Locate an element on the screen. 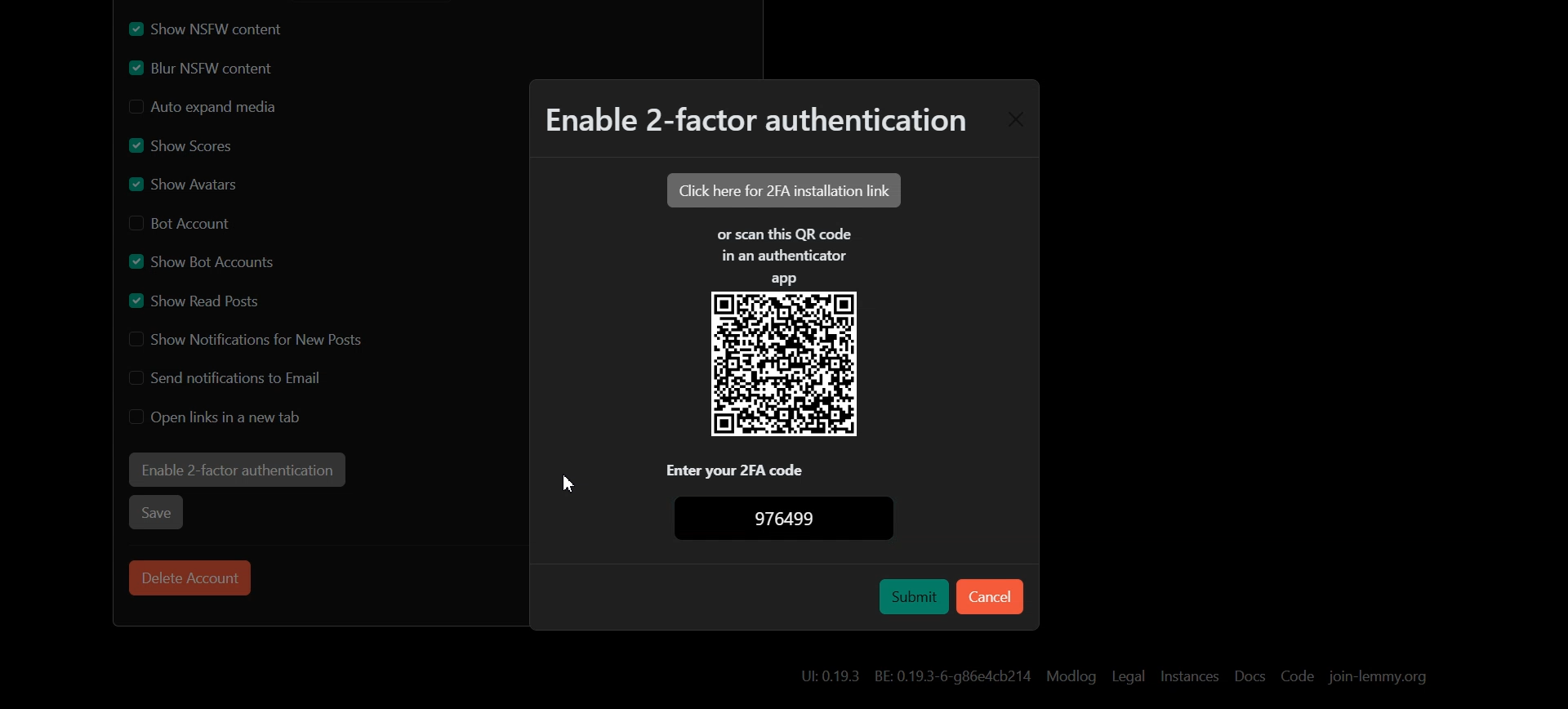 This screenshot has height=709, width=1568. Disable Open links in new tab is located at coordinates (216, 417).